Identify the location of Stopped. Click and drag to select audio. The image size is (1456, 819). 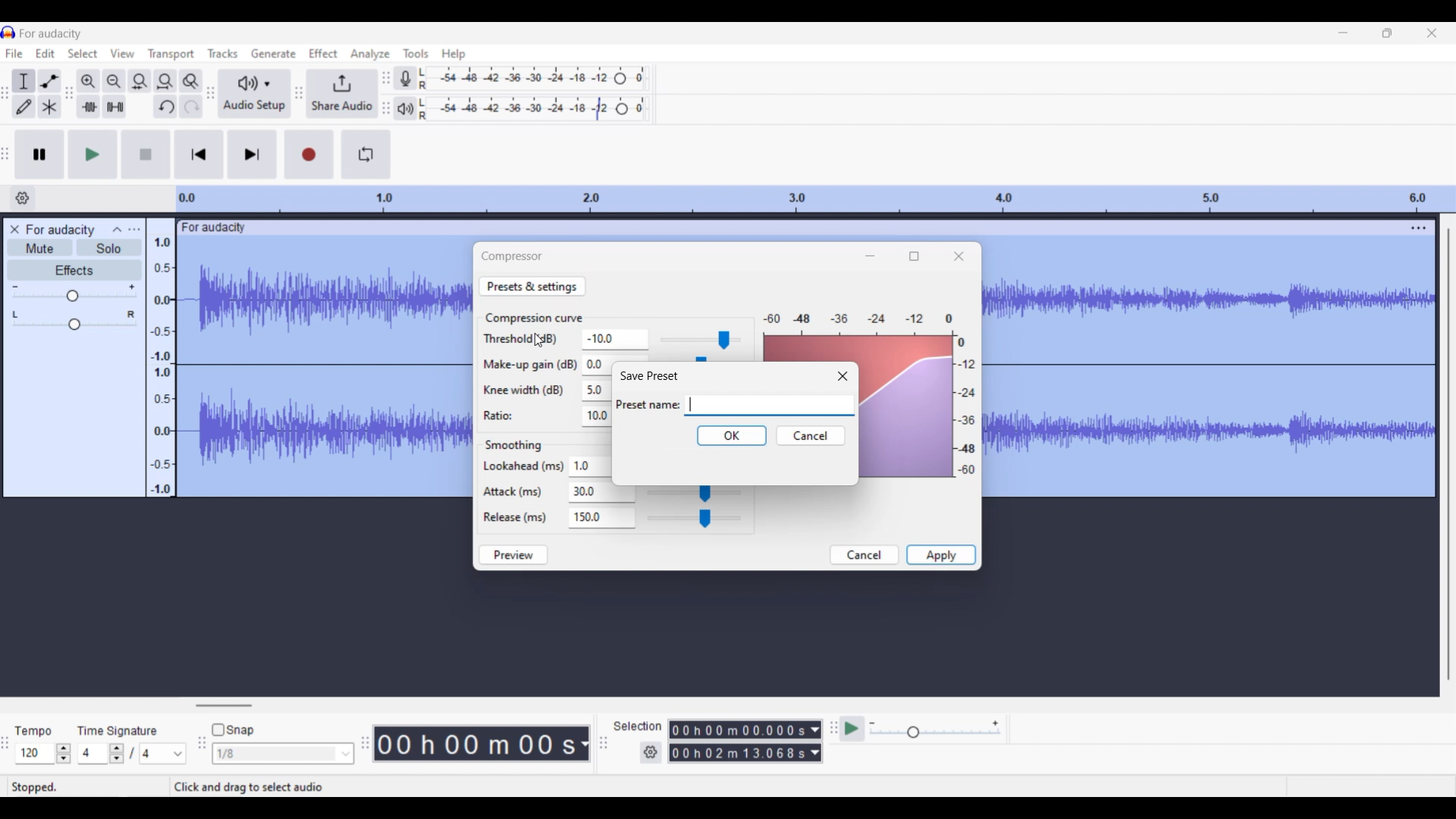
(187, 787).